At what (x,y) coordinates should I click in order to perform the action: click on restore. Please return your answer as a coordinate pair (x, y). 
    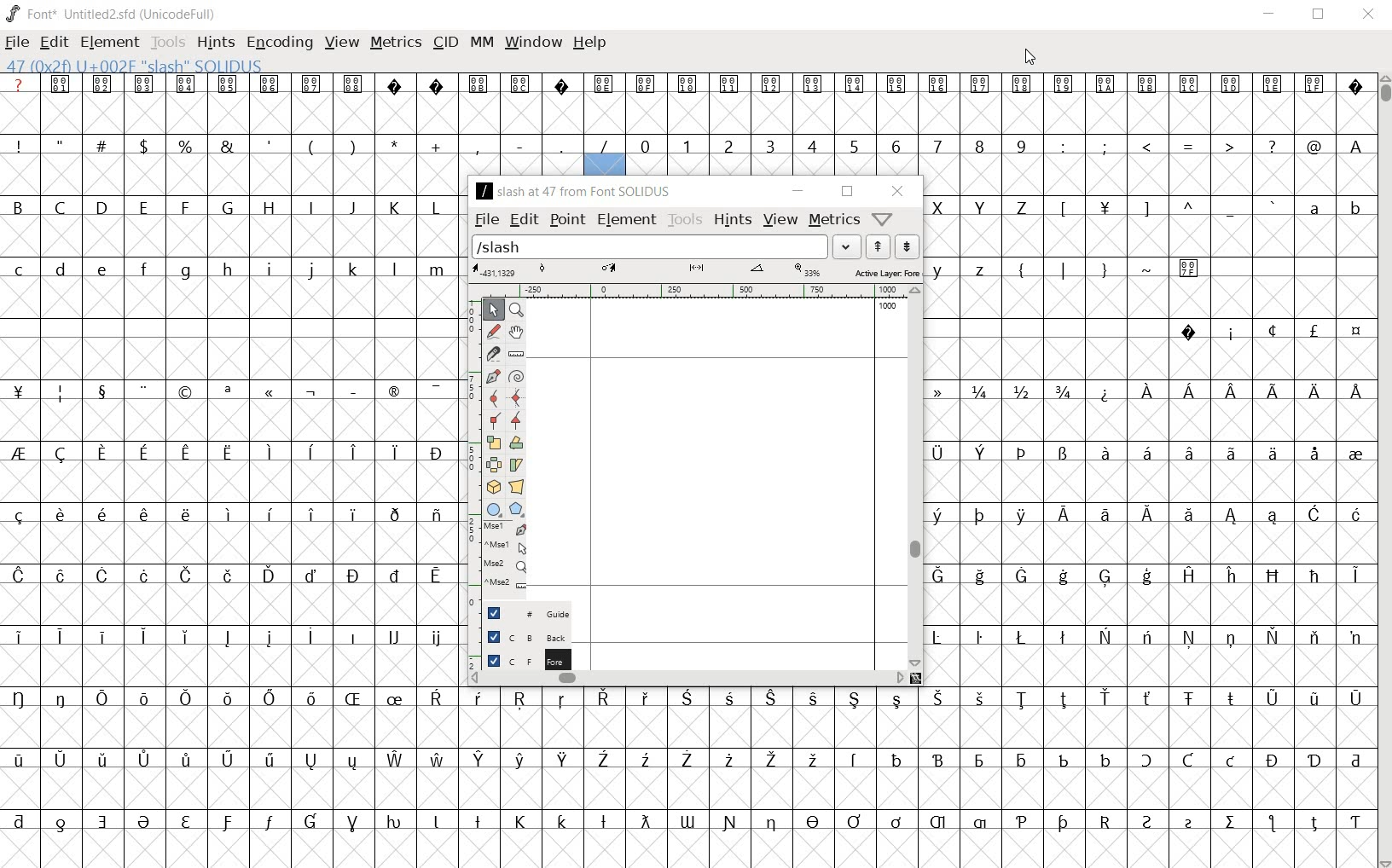
    Looking at the image, I should click on (847, 192).